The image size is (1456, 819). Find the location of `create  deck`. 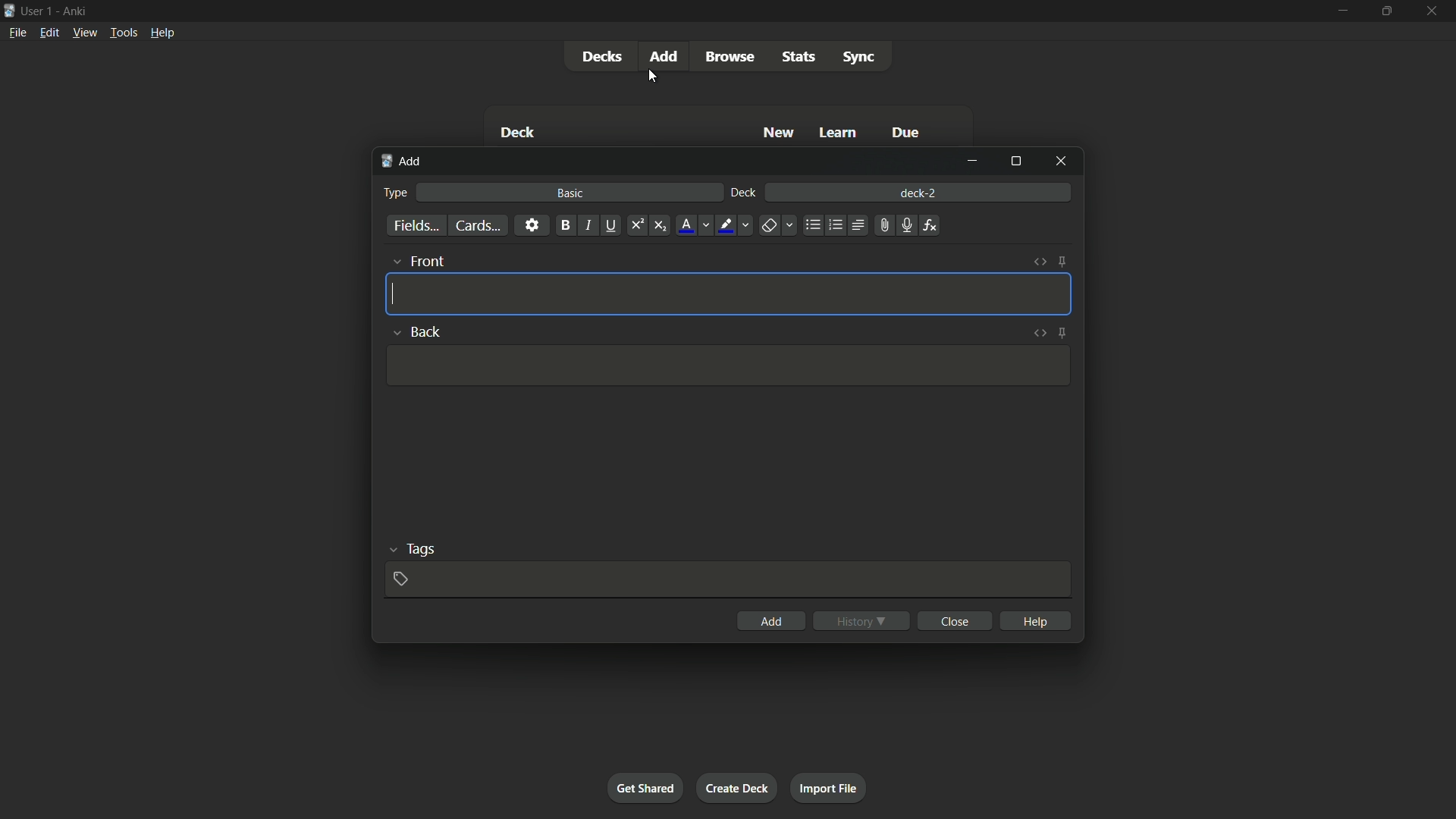

create  deck is located at coordinates (738, 788).